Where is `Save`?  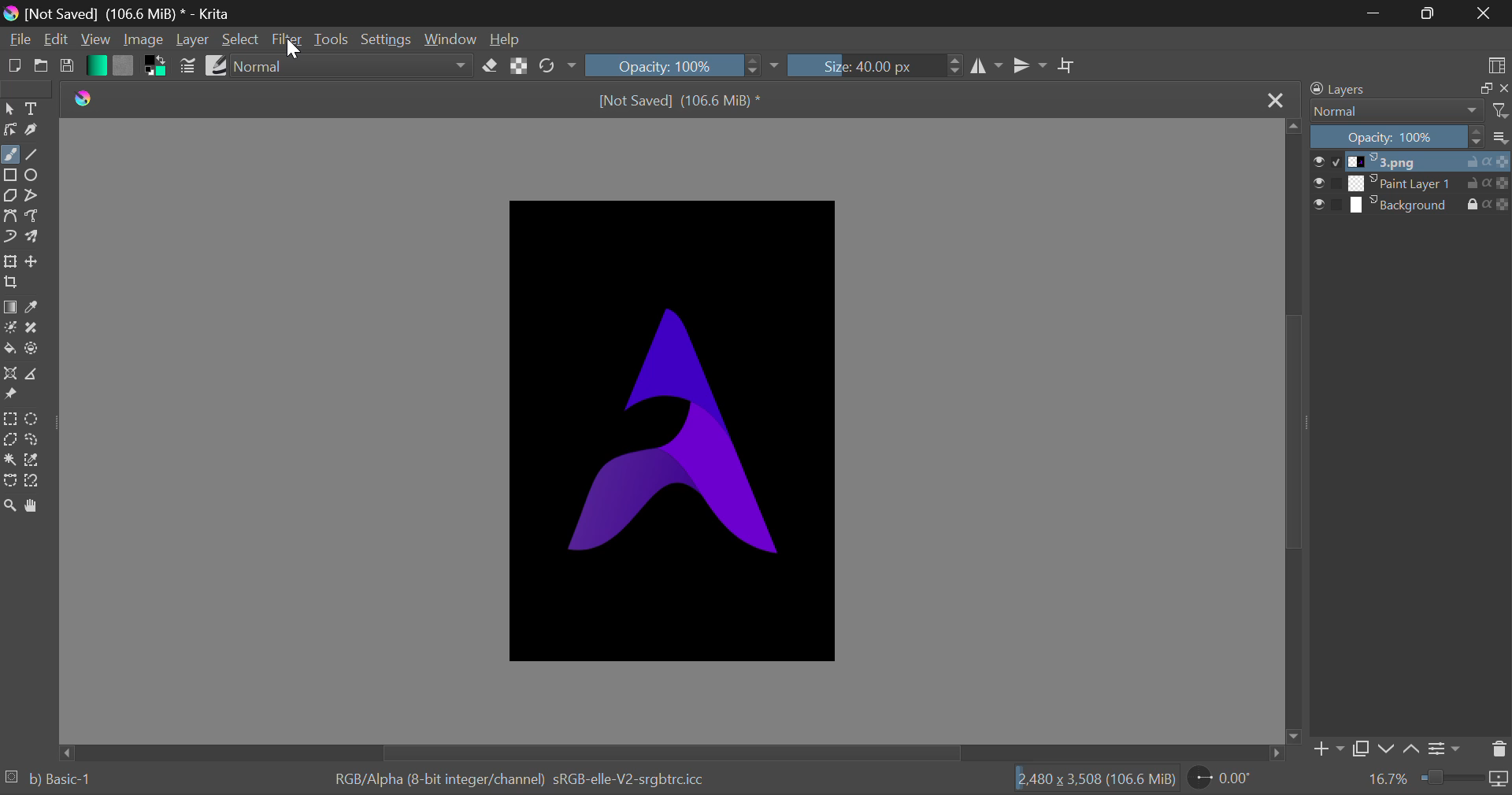 Save is located at coordinates (70, 66).